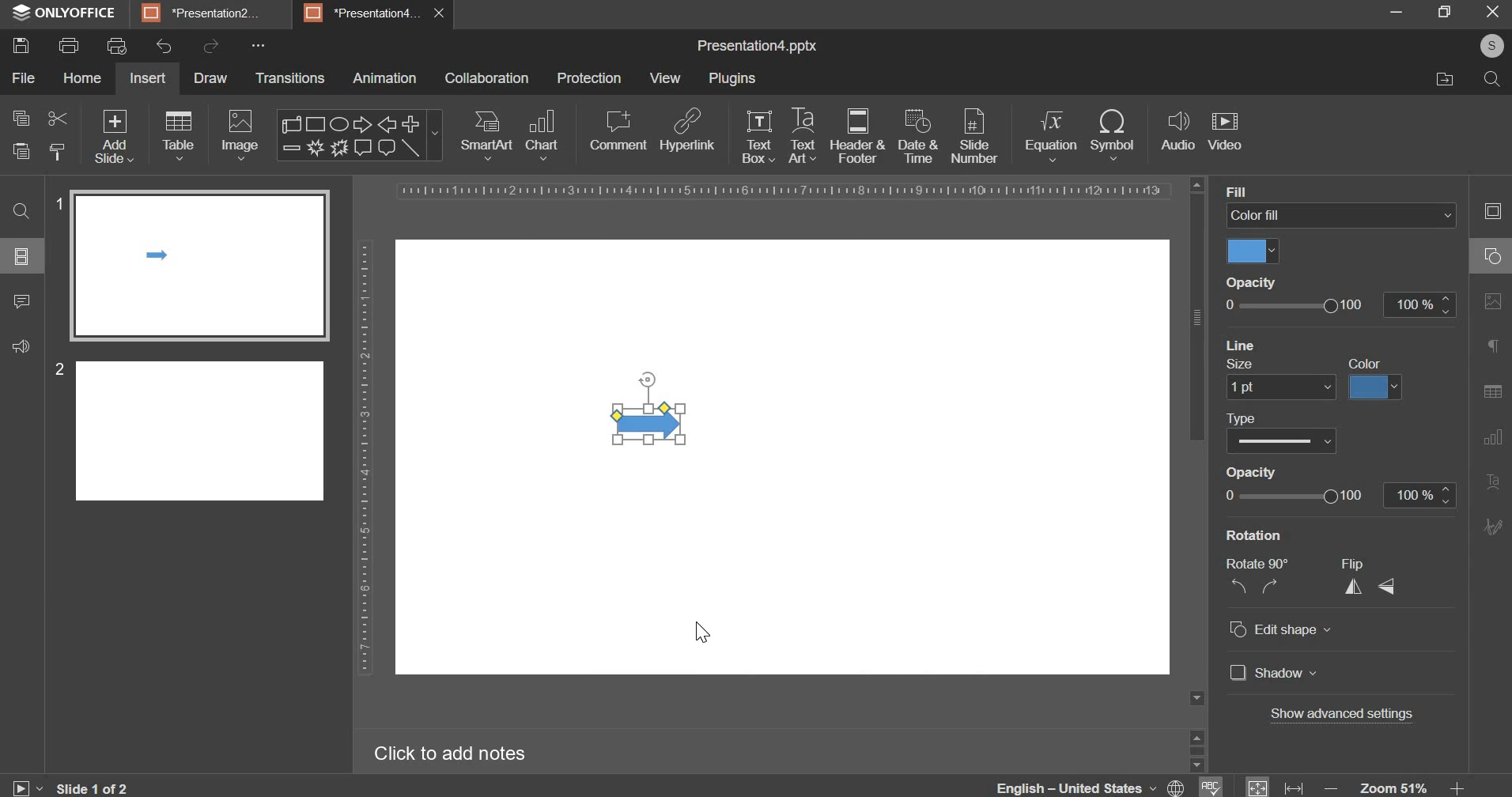 Image resolution: width=1512 pixels, height=797 pixels. Describe the element at coordinates (774, 191) in the screenshot. I see `ruler` at that location.